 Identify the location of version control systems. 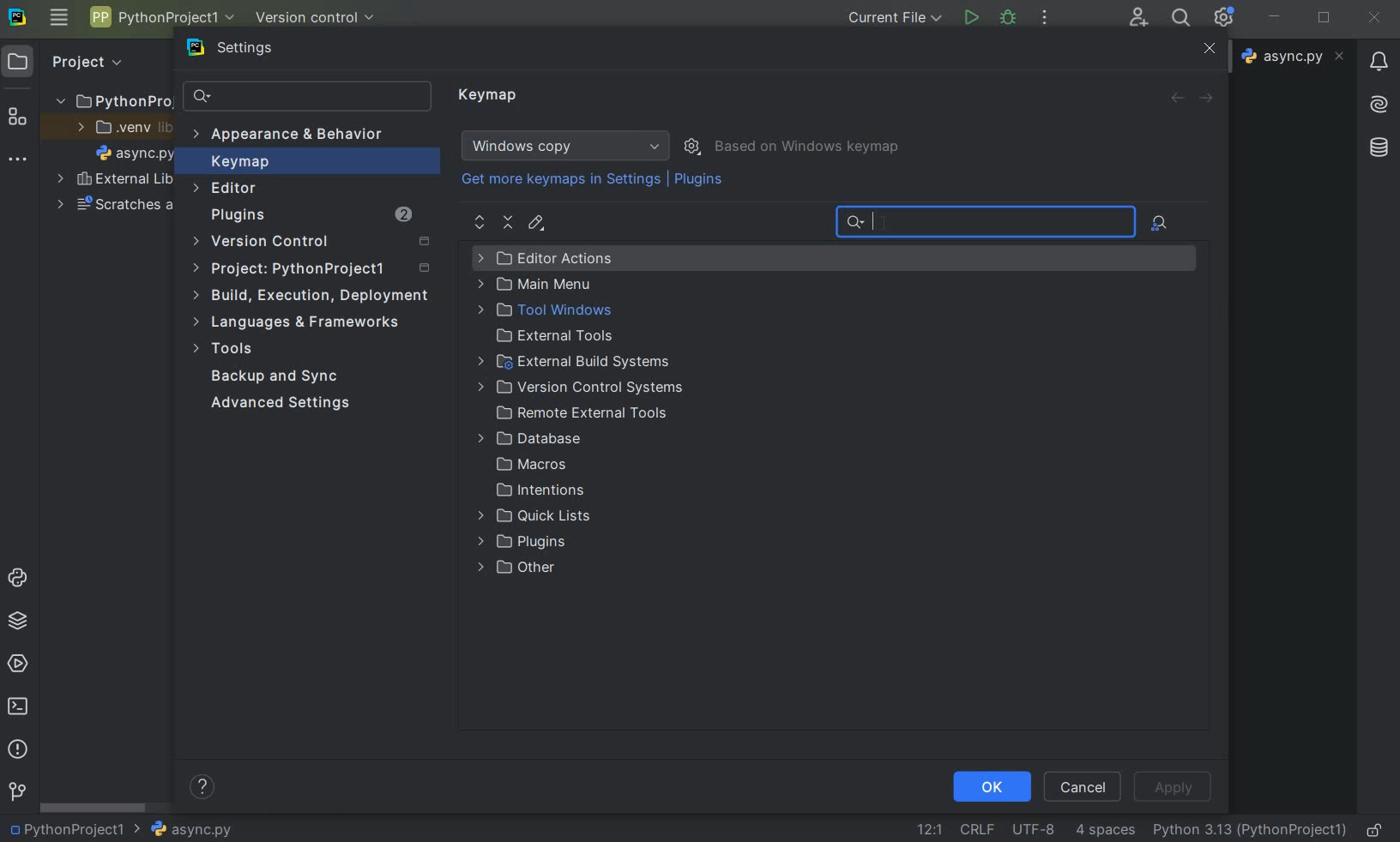
(581, 389).